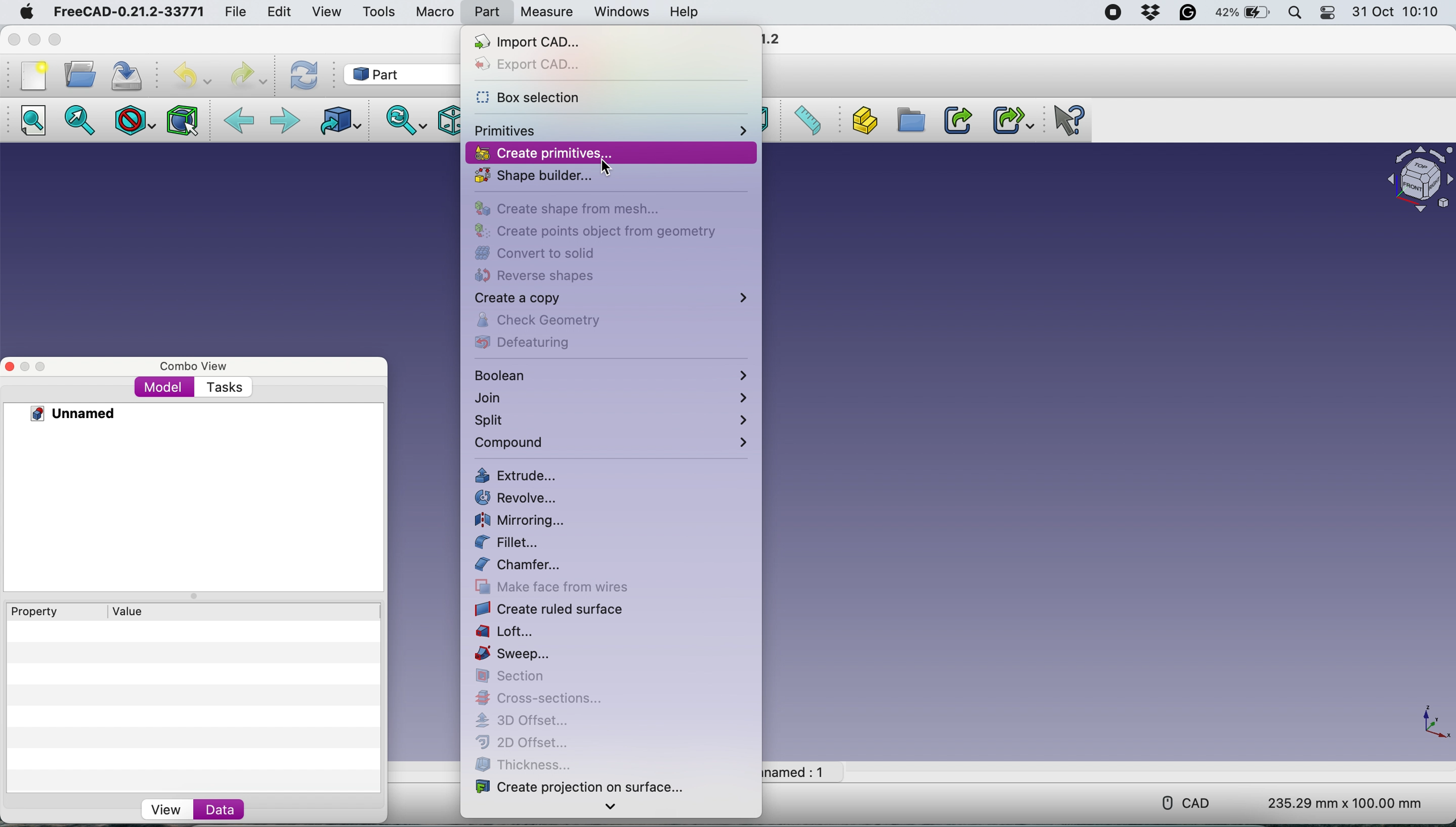 The width and height of the screenshot is (1456, 827). I want to click on Dimensions: 235.29 mm x 100.00 mm, so click(1346, 801).